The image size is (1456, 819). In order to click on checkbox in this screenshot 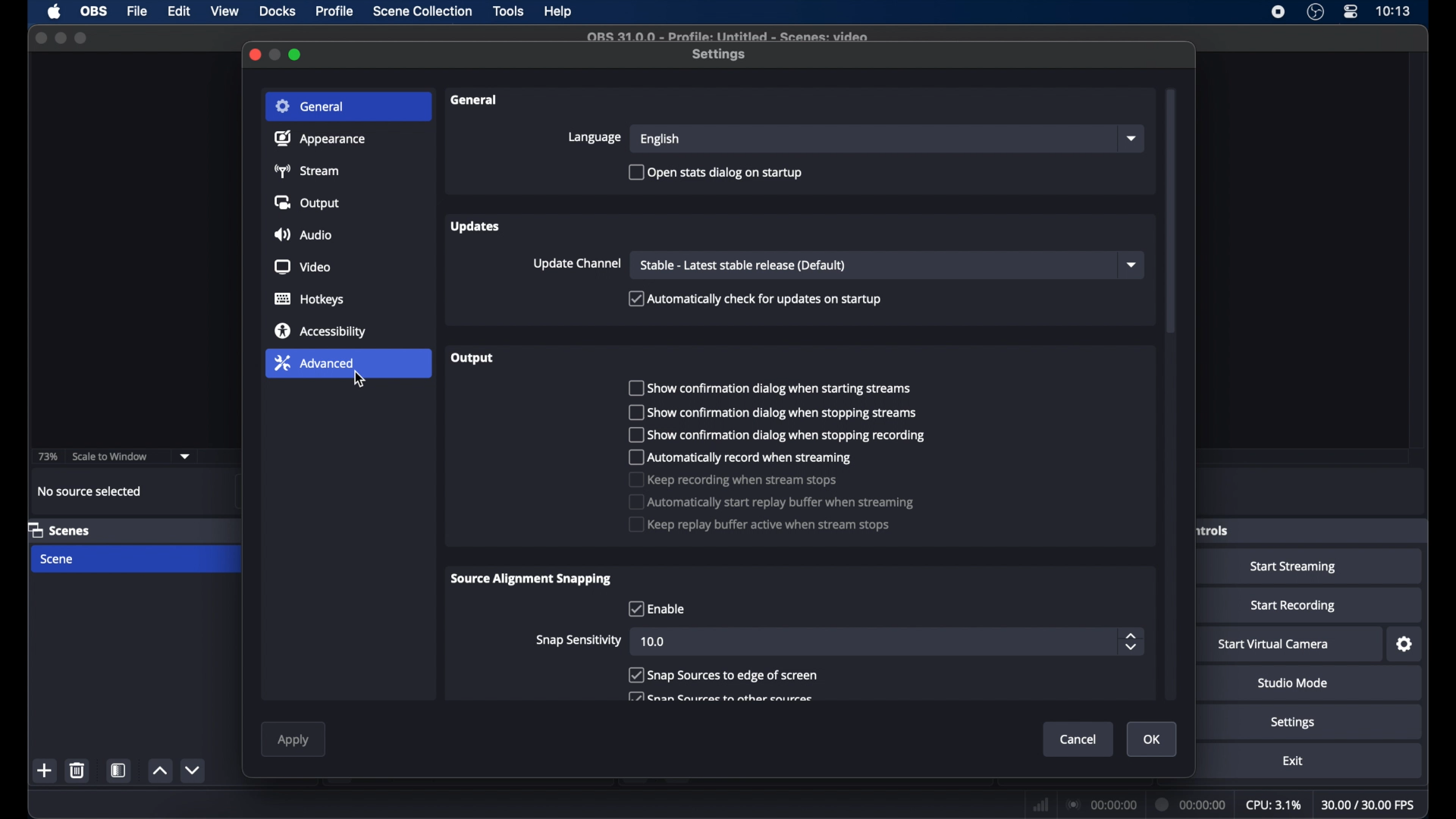, I will do `click(770, 388)`.